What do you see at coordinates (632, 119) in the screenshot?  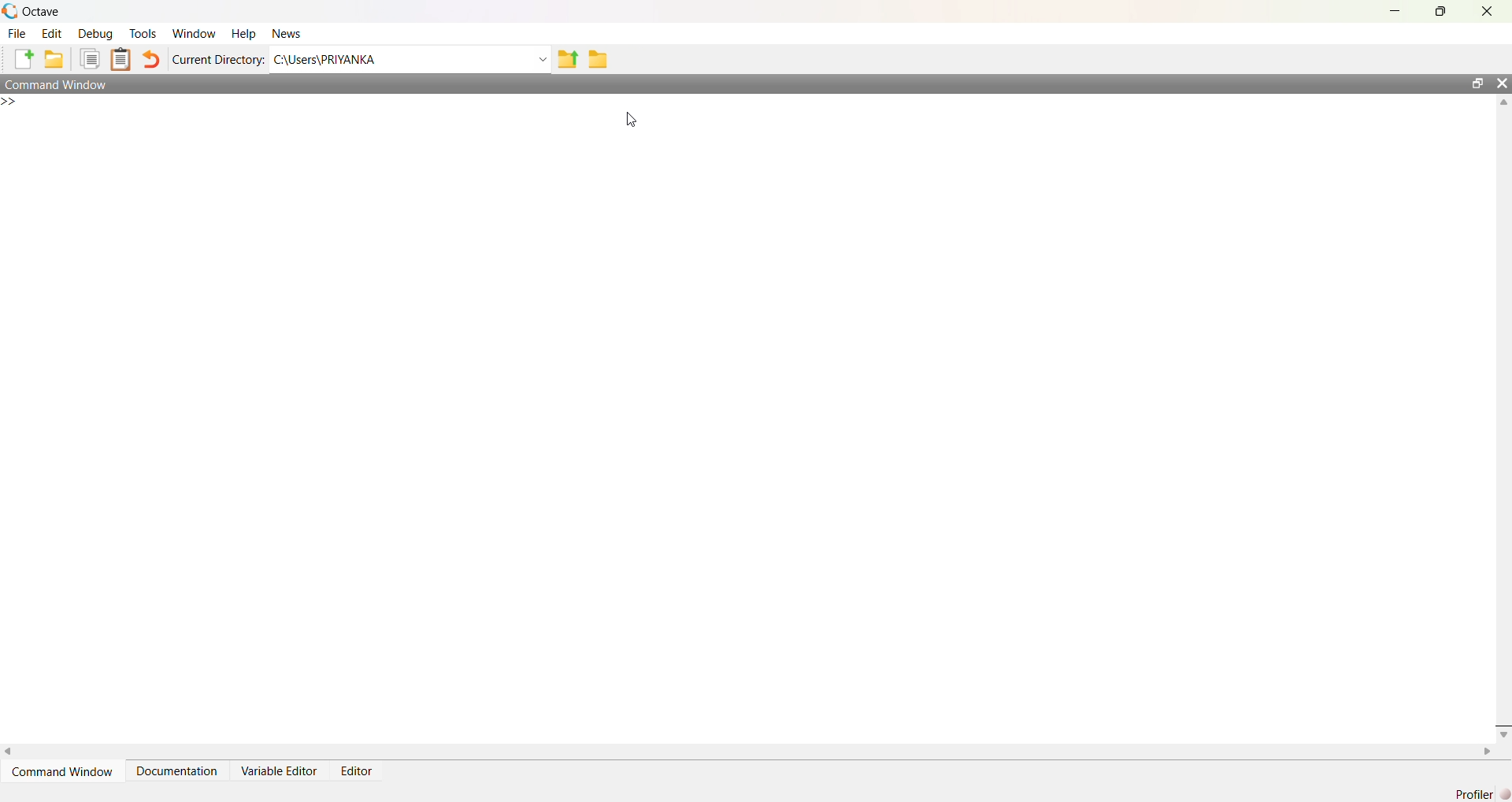 I see `Cursor` at bounding box center [632, 119].